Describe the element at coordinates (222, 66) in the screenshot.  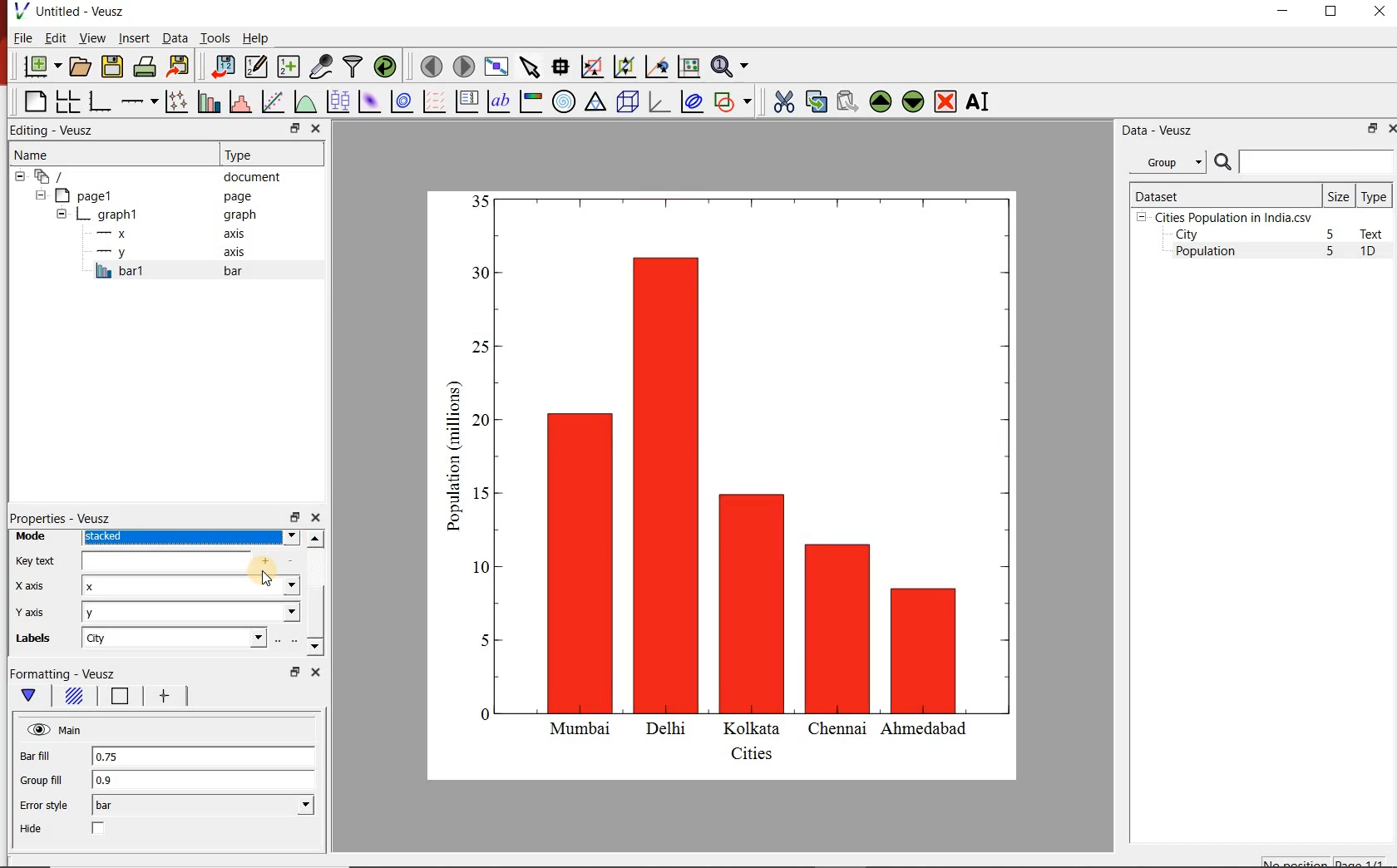
I see `import data into Veusz` at that location.